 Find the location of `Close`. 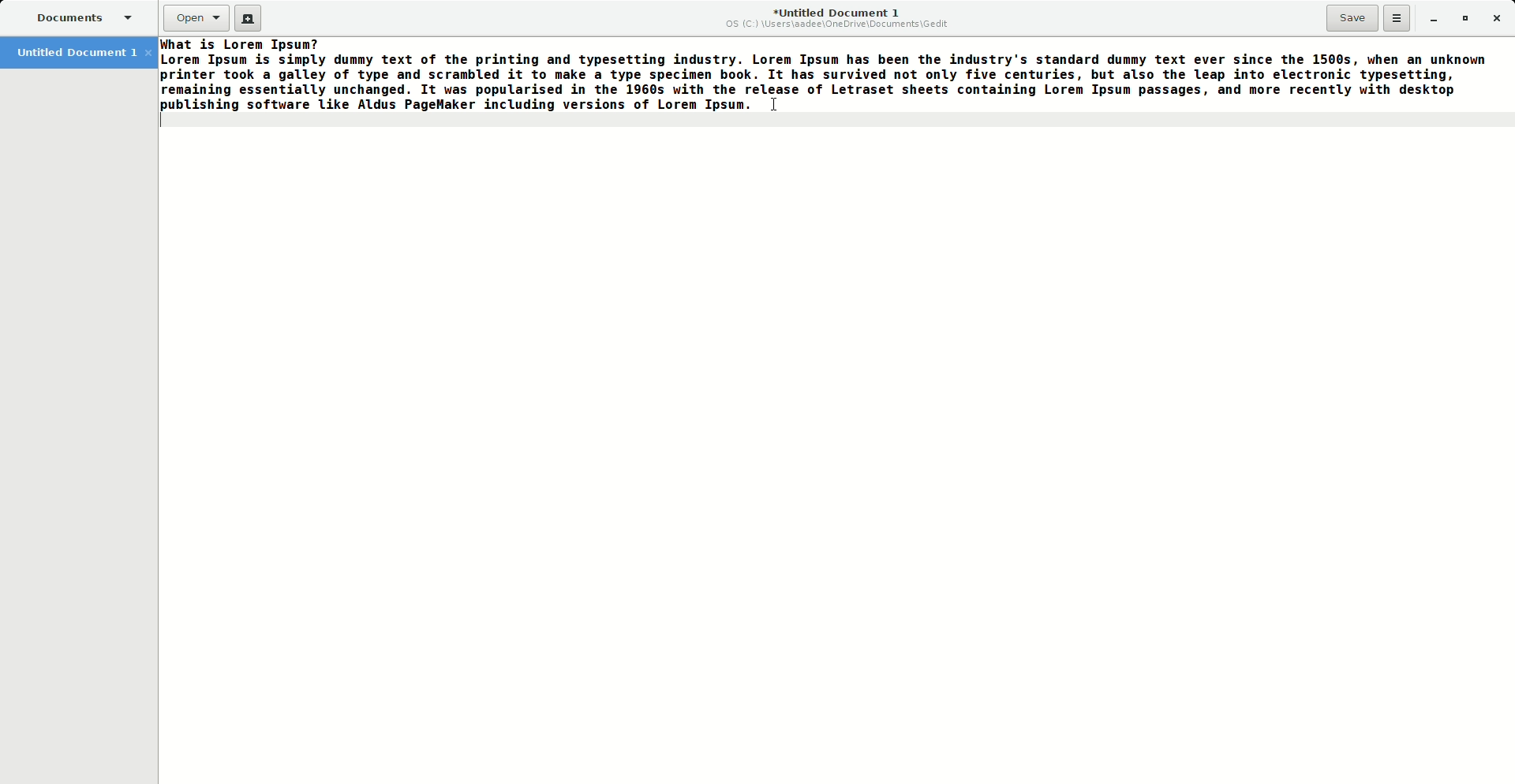

Close is located at coordinates (1497, 17).